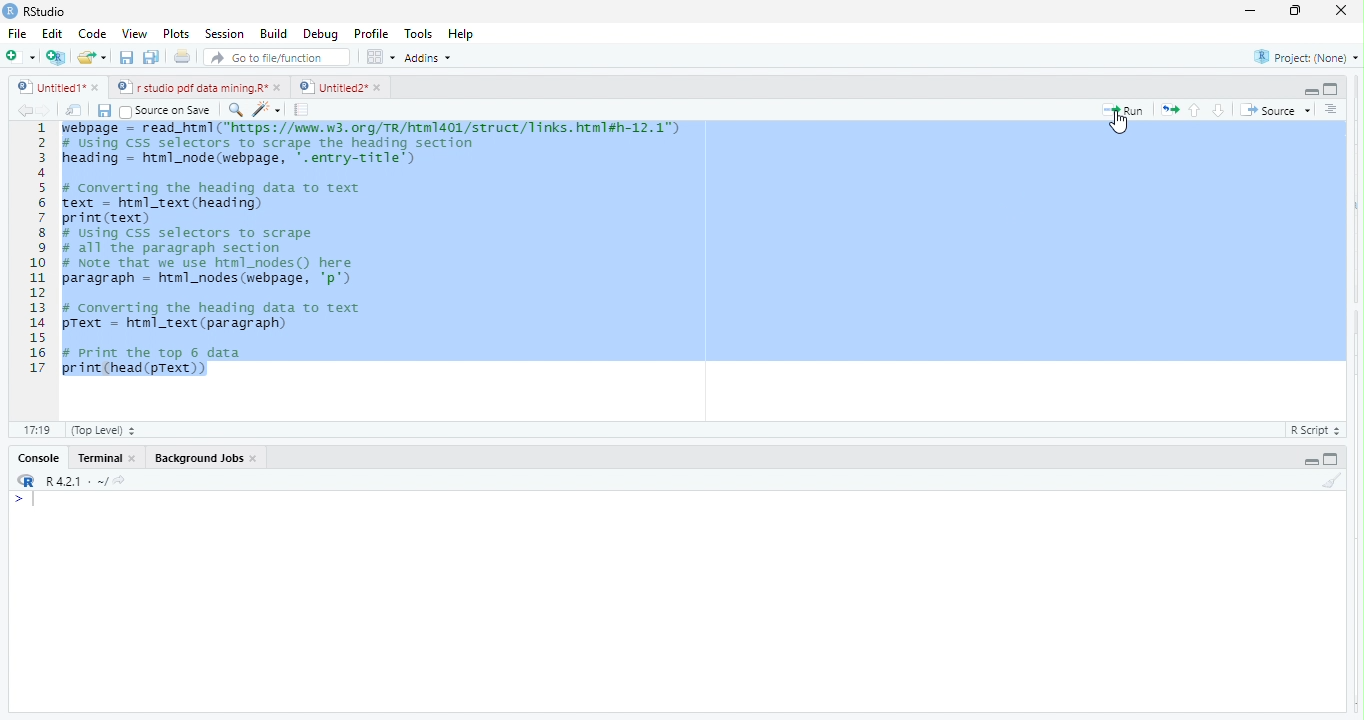 Image resolution: width=1364 pixels, height=720 pixels. Describe the element at coordinates (1307, 60) in the screenshot. I see ` project: (None)` at that location.